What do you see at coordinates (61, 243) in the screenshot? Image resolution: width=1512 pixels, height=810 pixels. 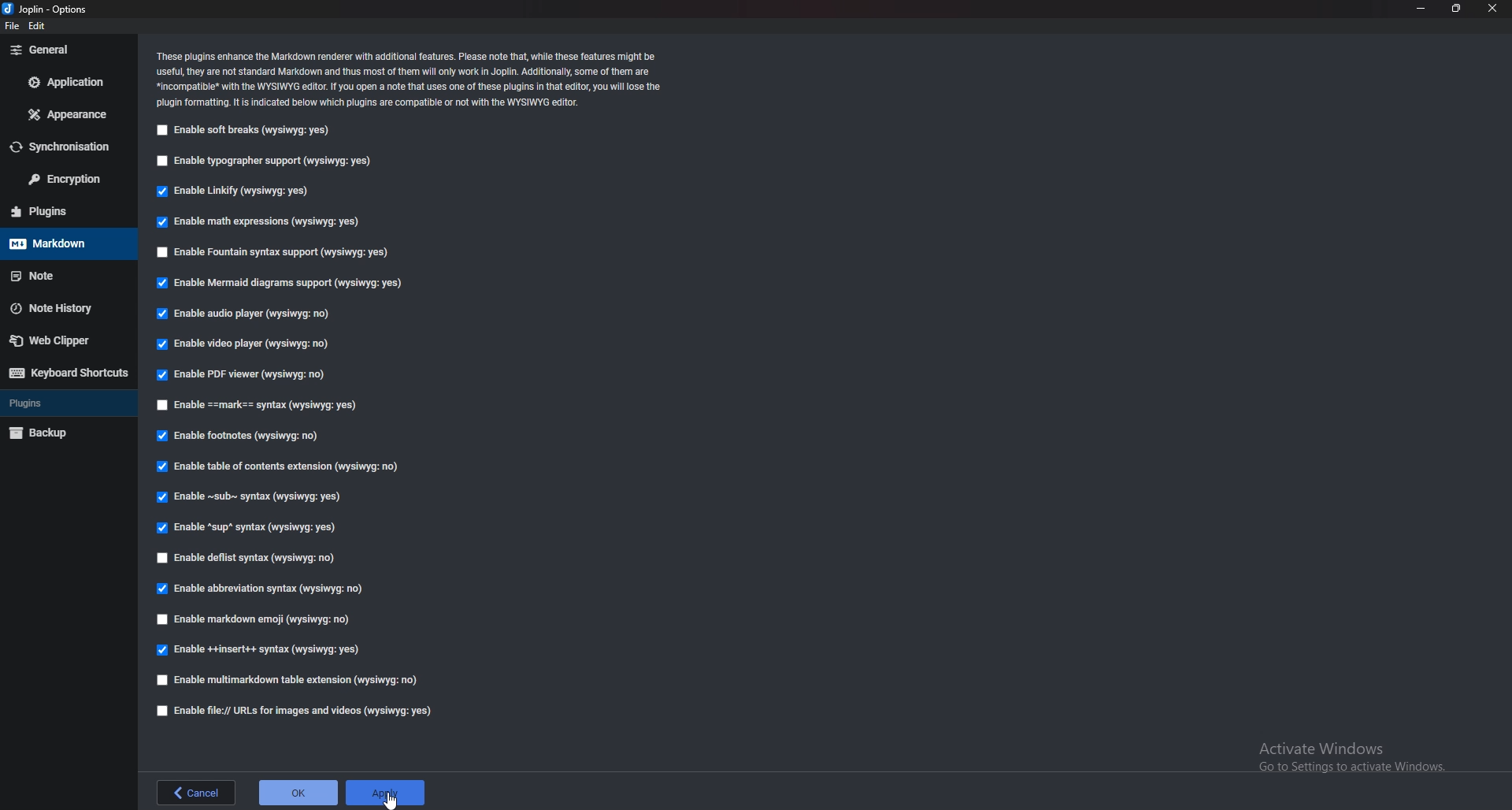 I see `Mark down` at bounding box center [61, 243].